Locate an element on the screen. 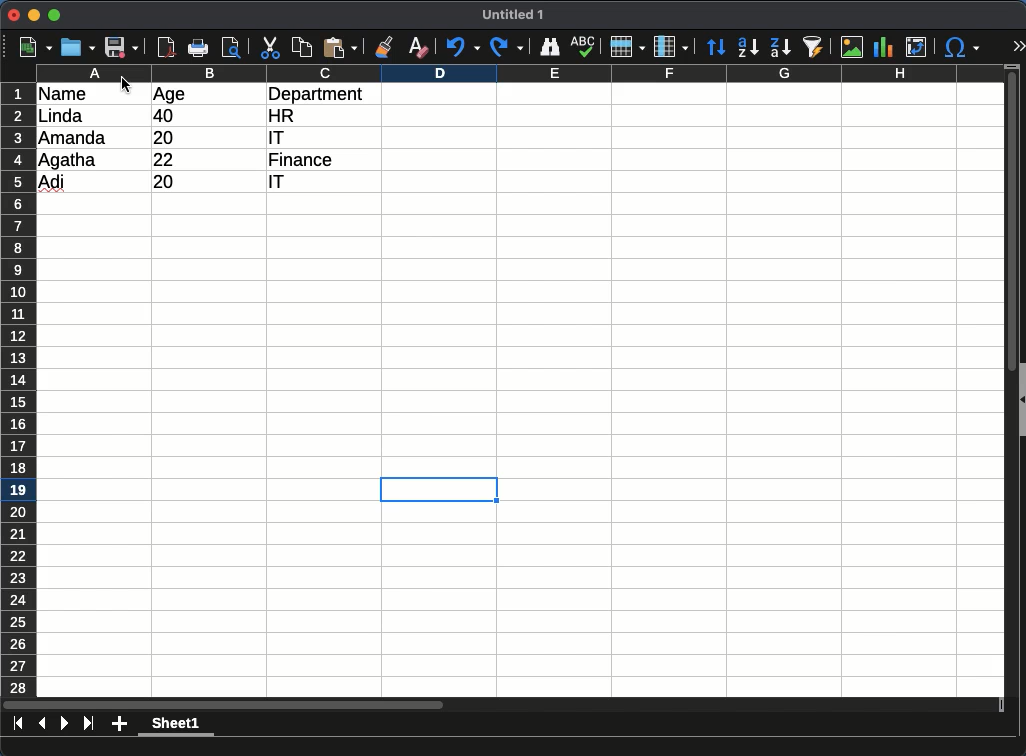  collapse is located at coordinates (1020, 398).